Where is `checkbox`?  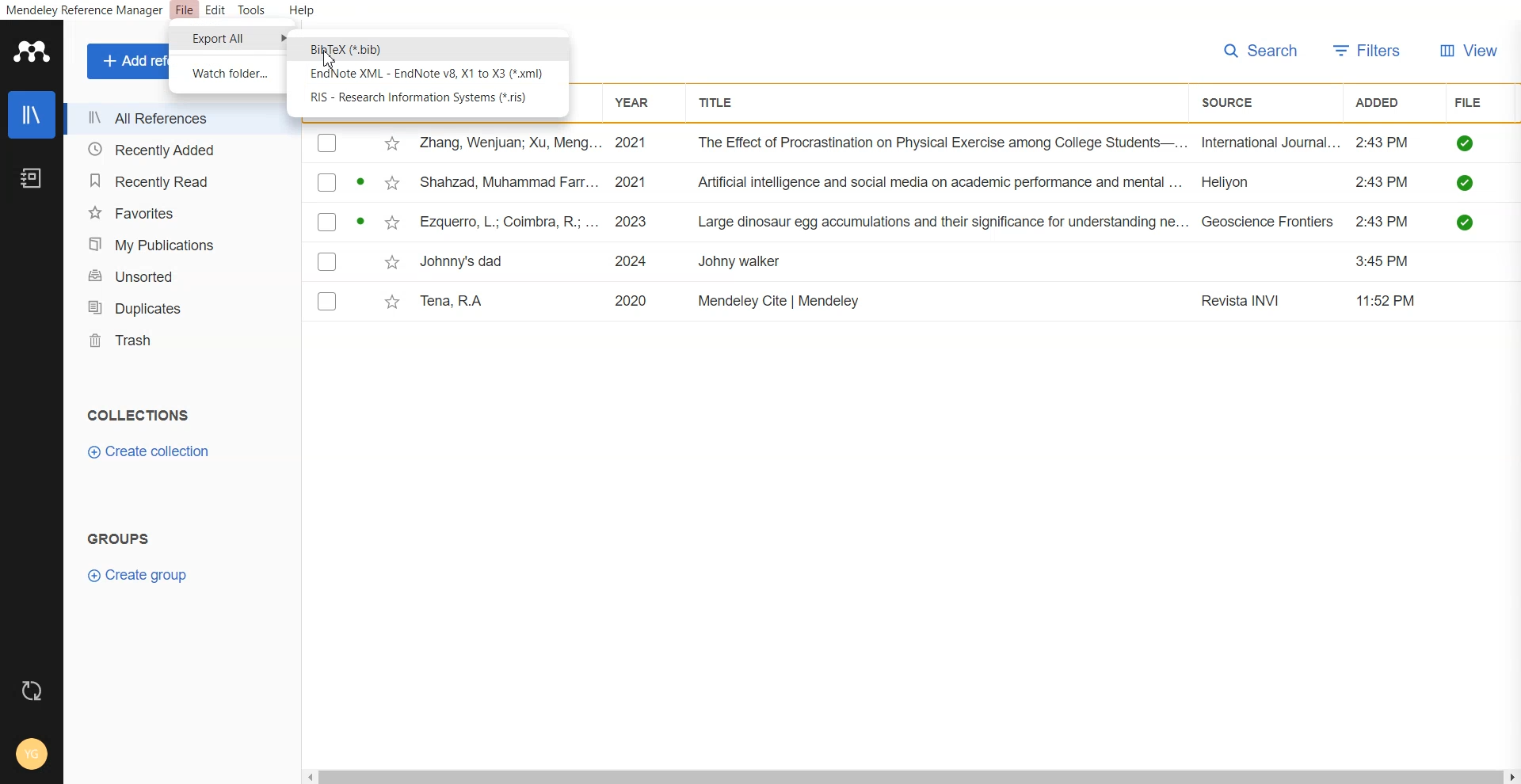 checkbox is located at coordinates (326, 261).